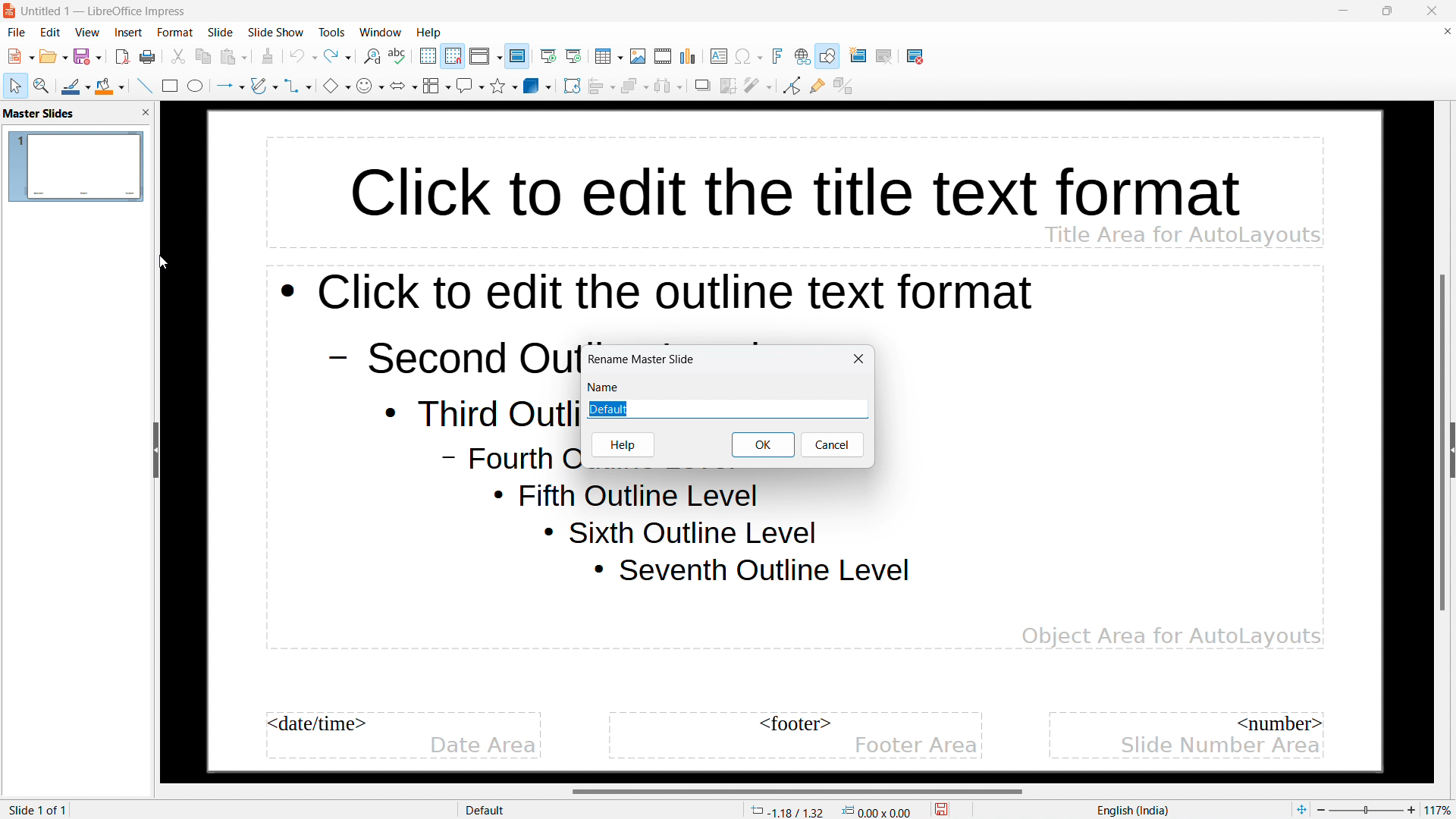 This screenshot has width=1456, height=819. Describe the element at coordinates (777, 56) in the screenshot. I see `insert fontwork text` at that location.